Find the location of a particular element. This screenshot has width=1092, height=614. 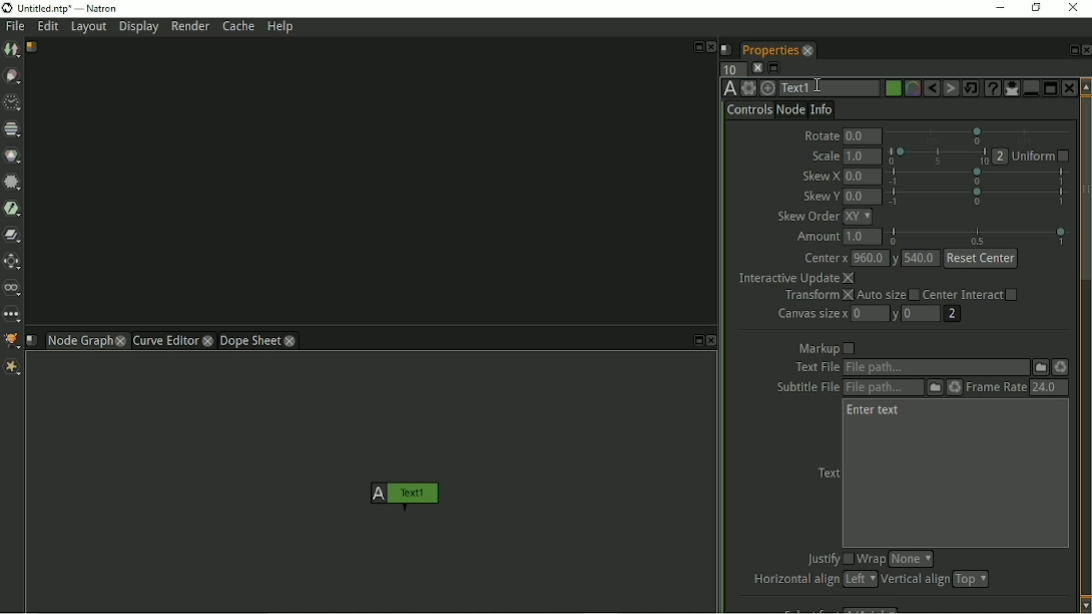

Center Interact is located at coordinates (972, 294).